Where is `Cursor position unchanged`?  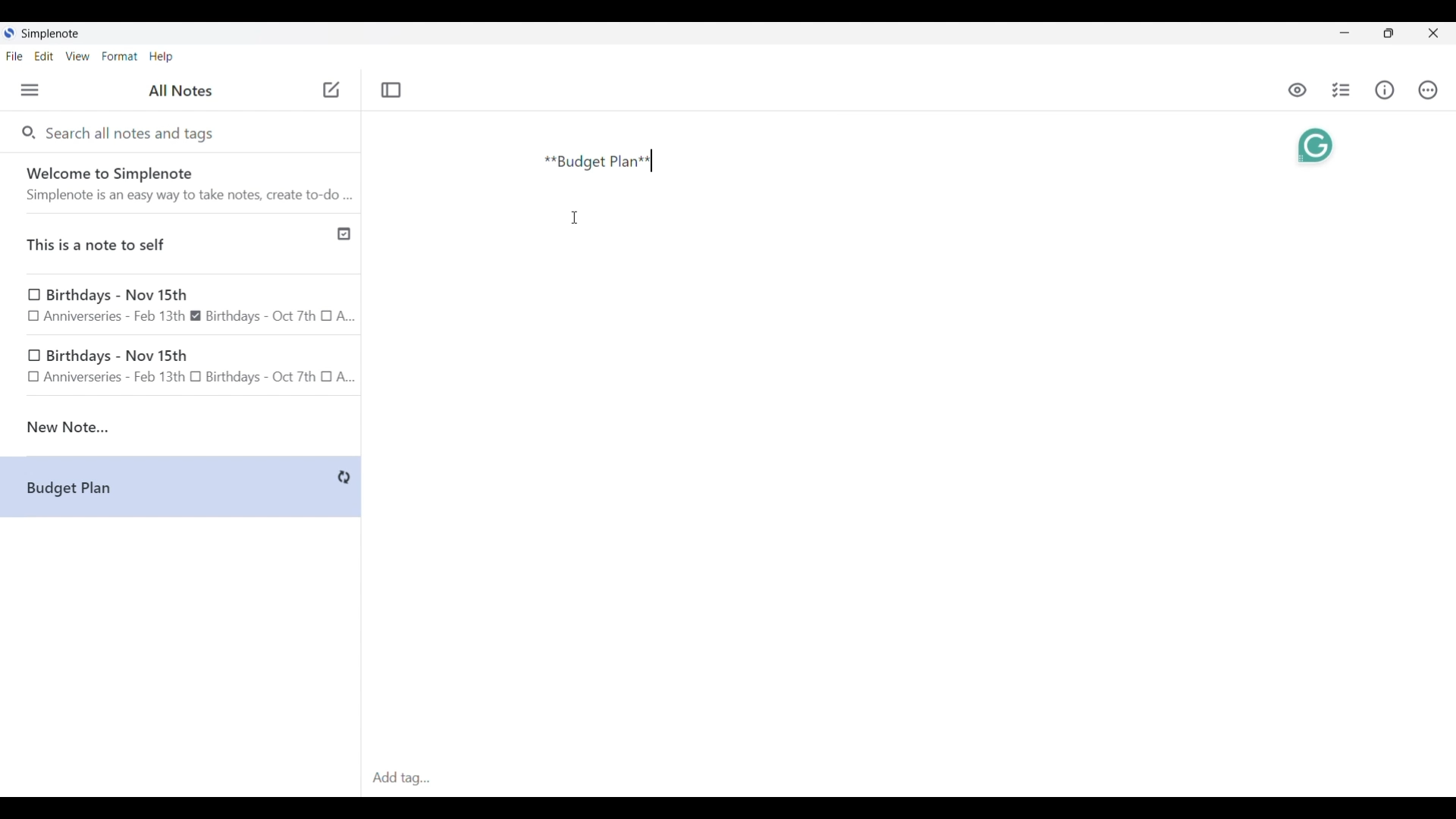
Cursor position unchanged is located at coordinates (575, 218).